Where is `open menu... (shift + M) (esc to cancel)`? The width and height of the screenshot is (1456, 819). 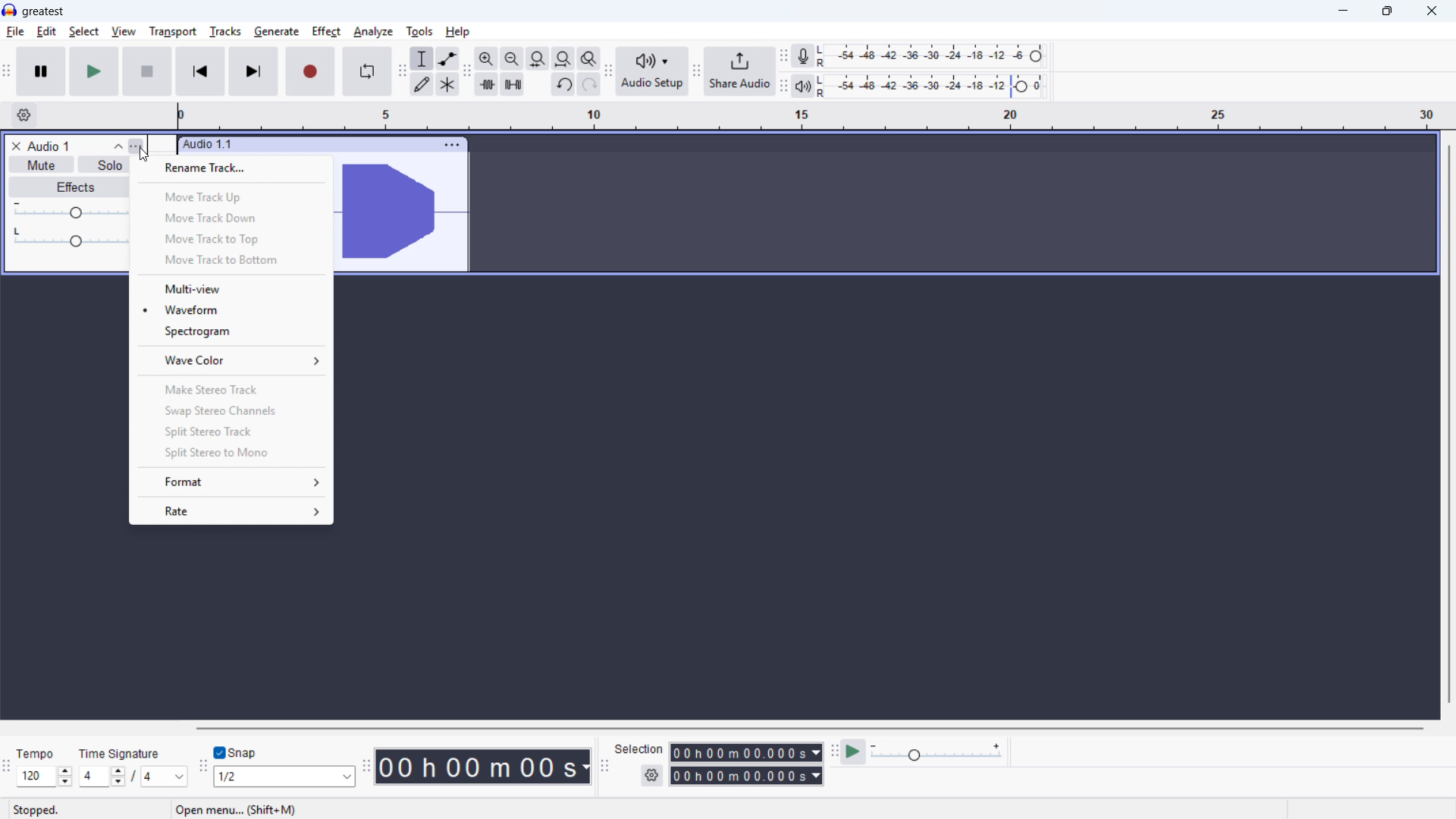
open menu... (shift + M) (esc to cancel) is located at coordinates (273, 810).